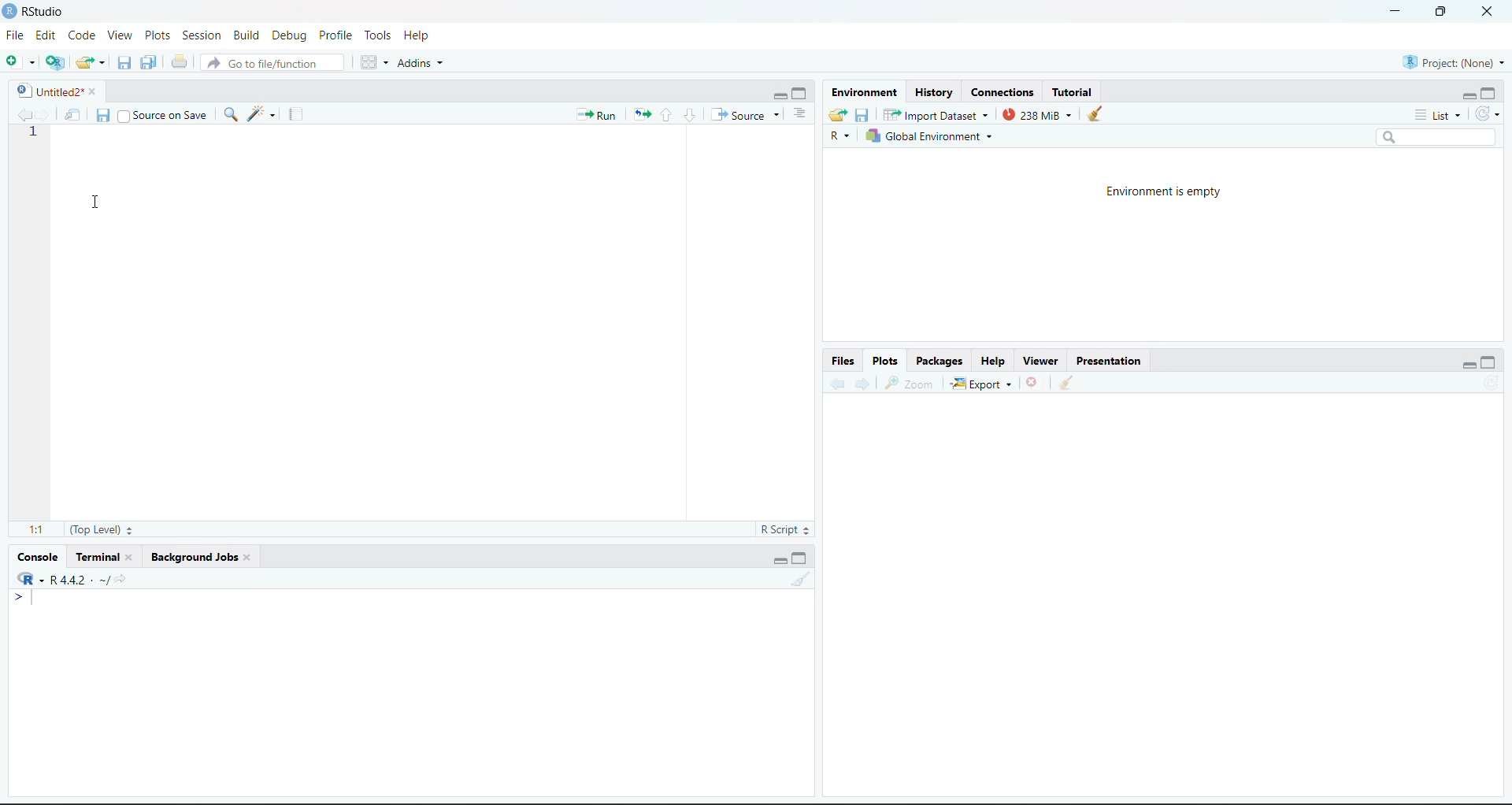 This screenshot has height=805, width=1512. What do you see at coordinates (55, 62) in the screenshot?
I see `new project ` at bounding box center [55, 62].